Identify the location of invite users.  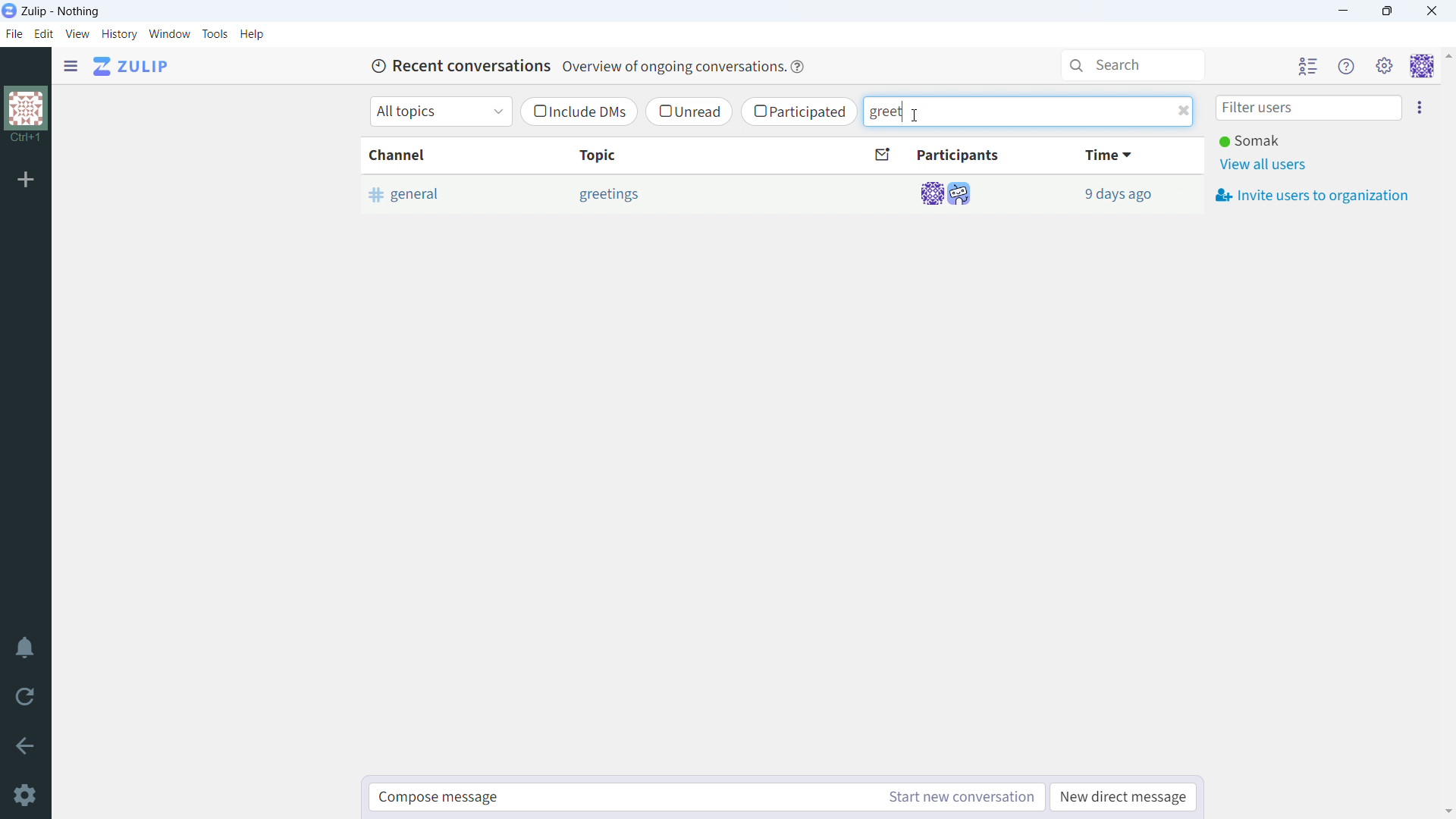
(1420, 107).